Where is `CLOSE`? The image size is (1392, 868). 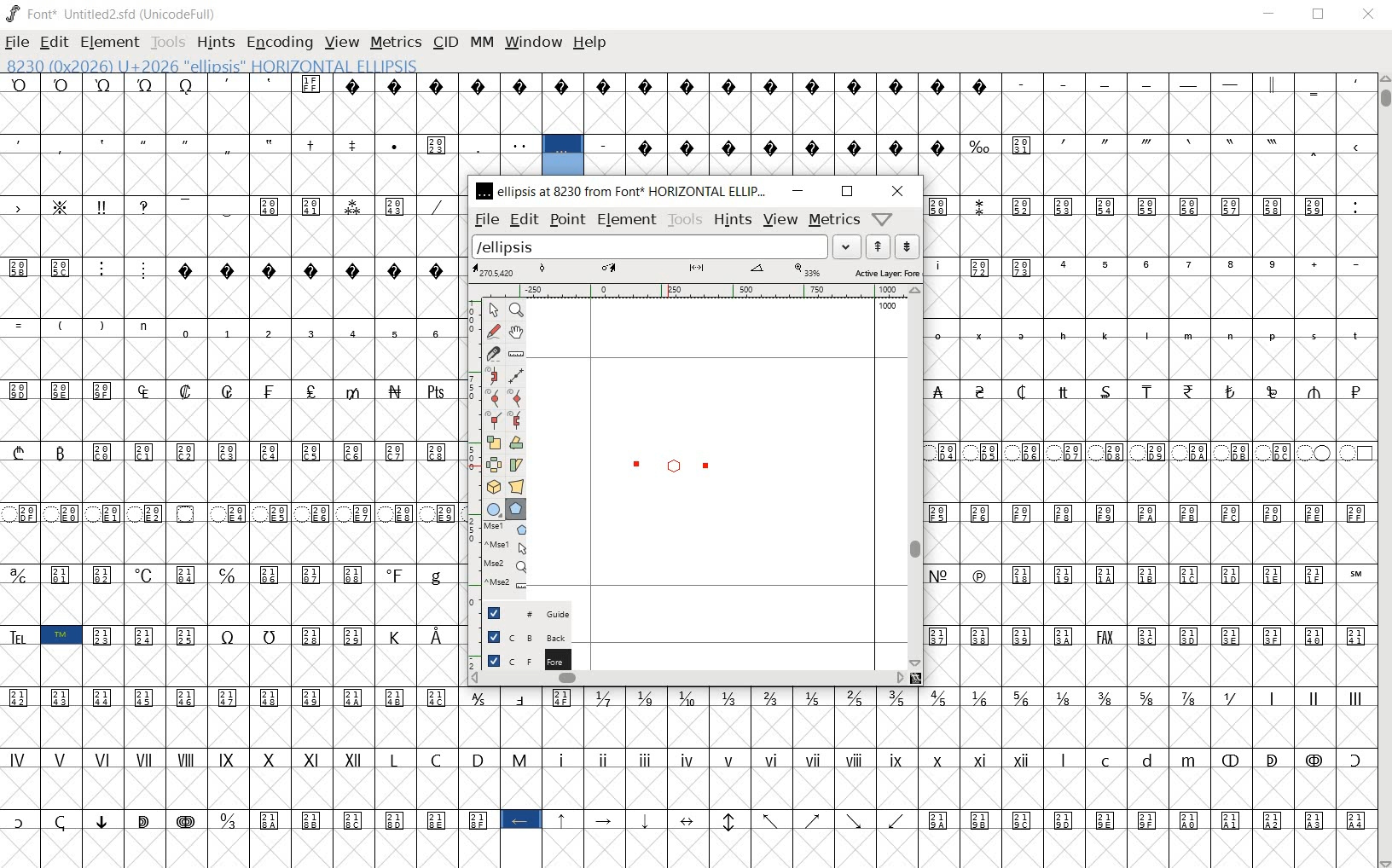 CLOSE is located at coordinates (1371, 14).